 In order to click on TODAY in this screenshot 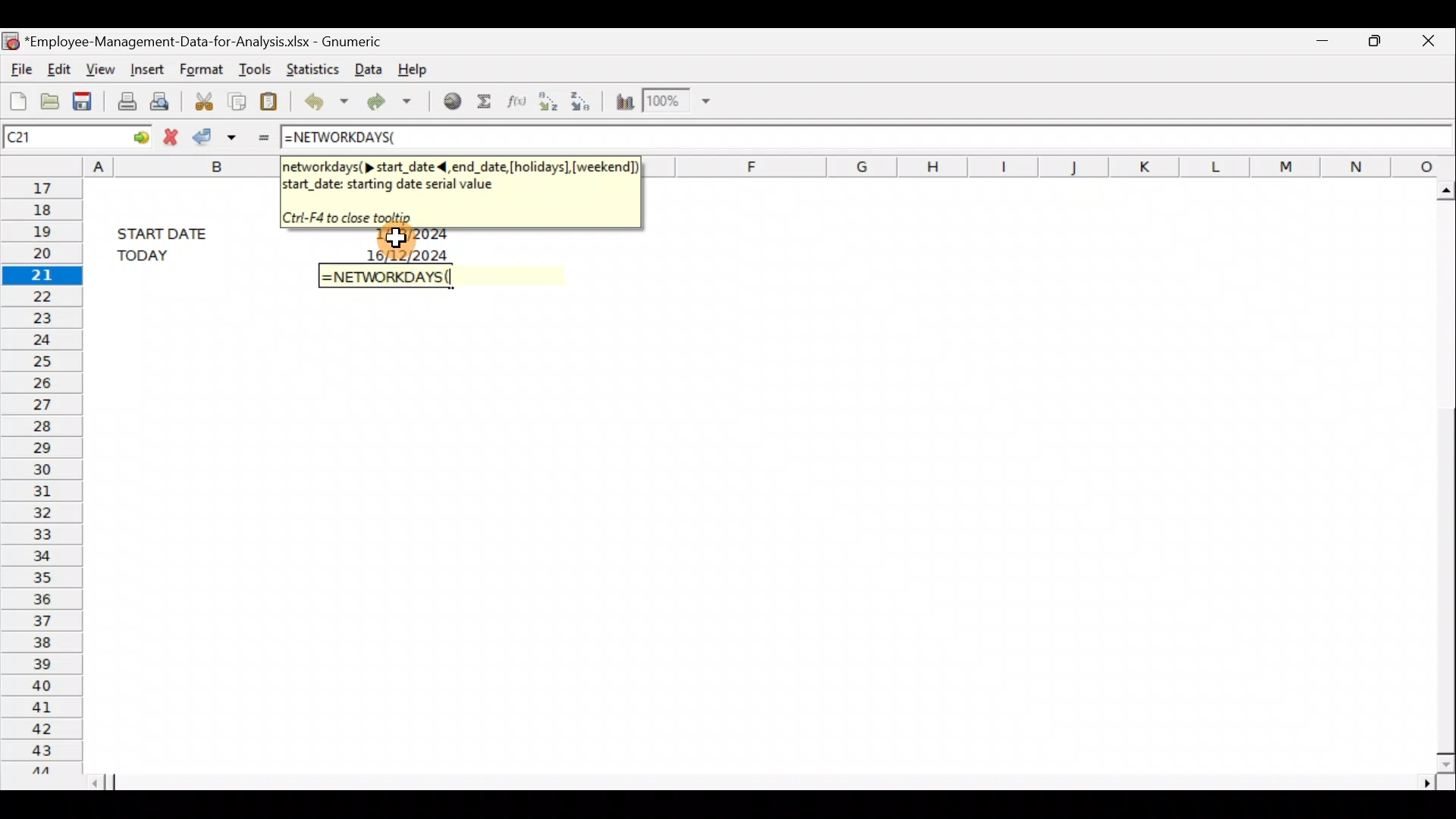, I will do `click(168, 255)`.